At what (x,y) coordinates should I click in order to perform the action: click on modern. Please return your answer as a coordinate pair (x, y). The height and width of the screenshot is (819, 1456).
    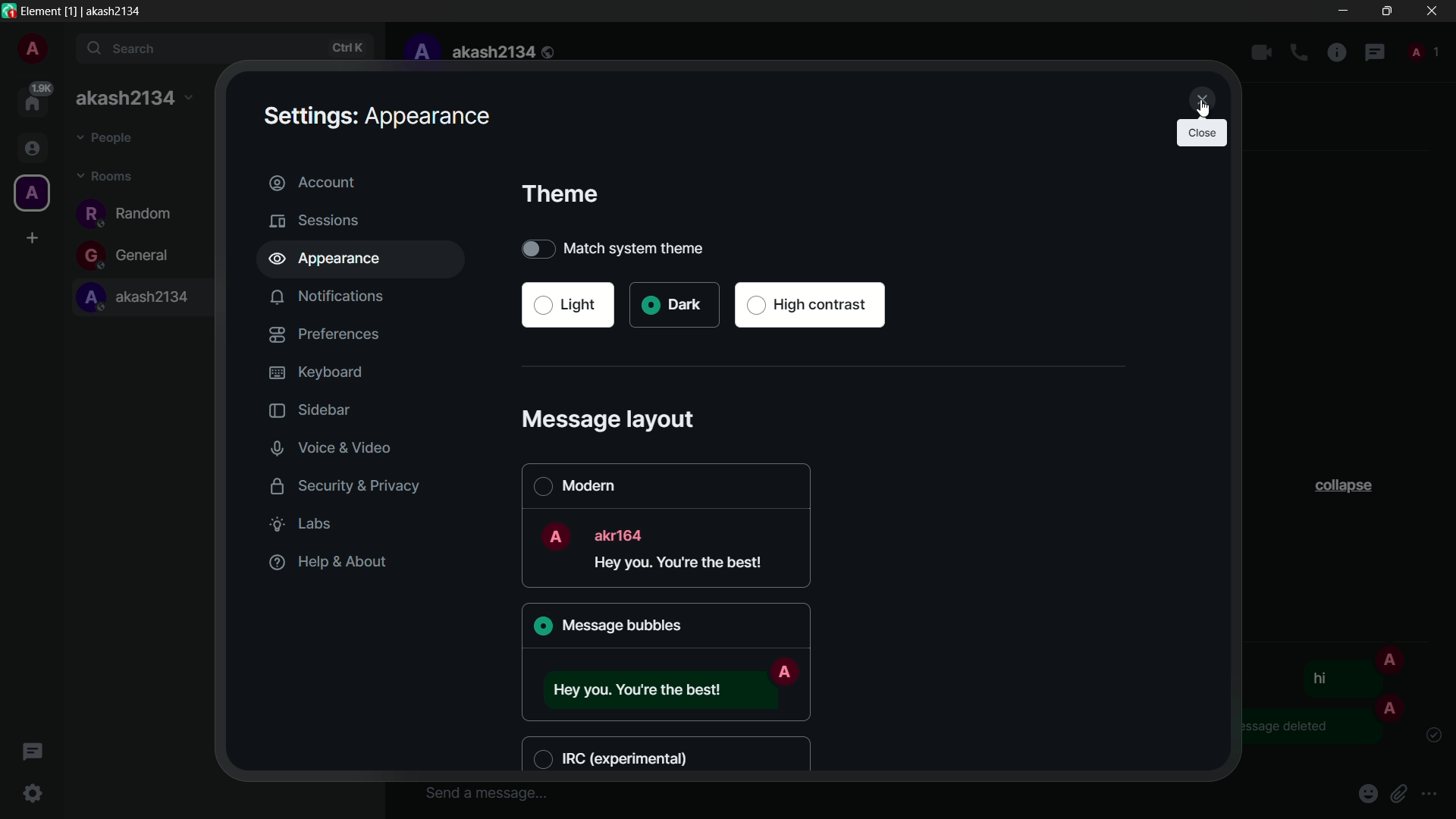
    Looking at the image, I should click on (573, 485).